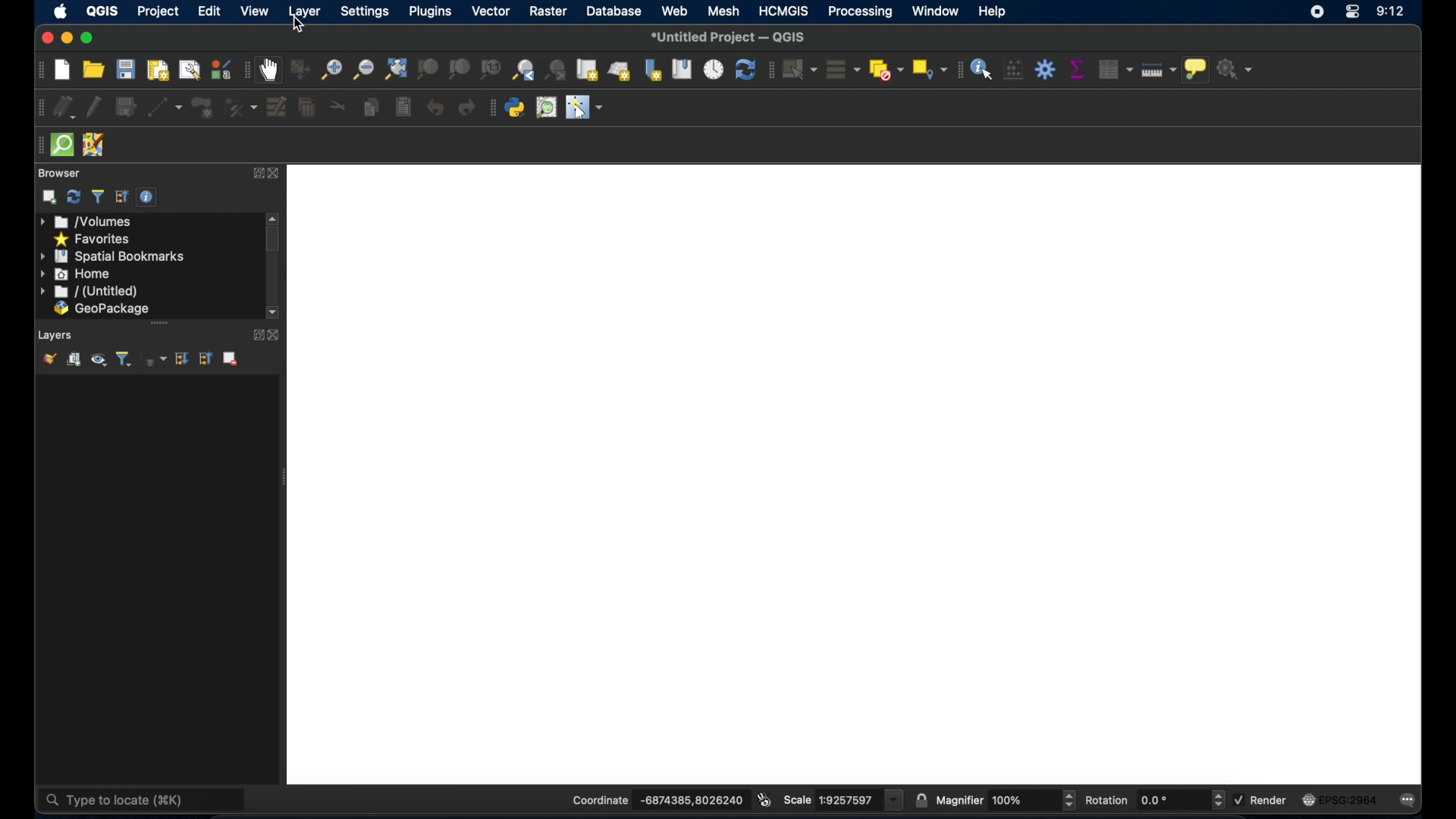 The image size is (1456, 819). I want to click on add polygon feature, so click(199, 105).